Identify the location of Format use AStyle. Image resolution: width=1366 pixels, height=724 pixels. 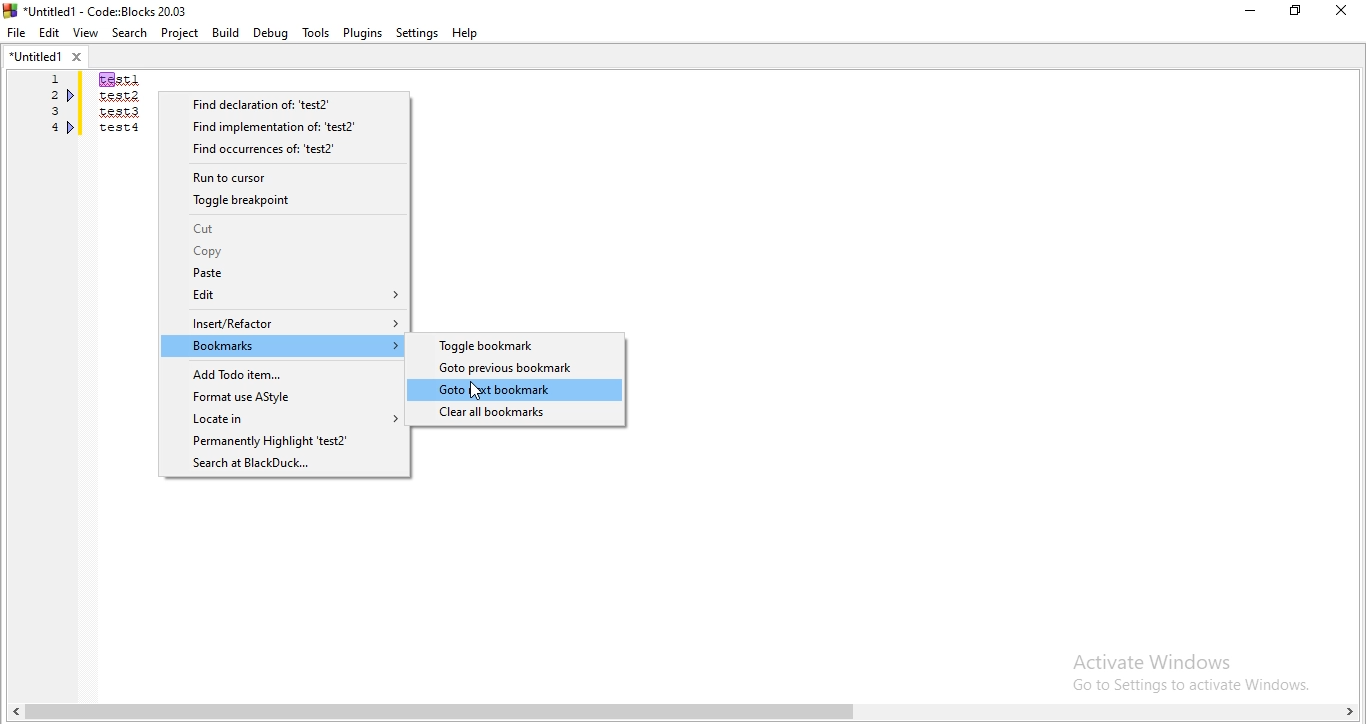
(284, 396).